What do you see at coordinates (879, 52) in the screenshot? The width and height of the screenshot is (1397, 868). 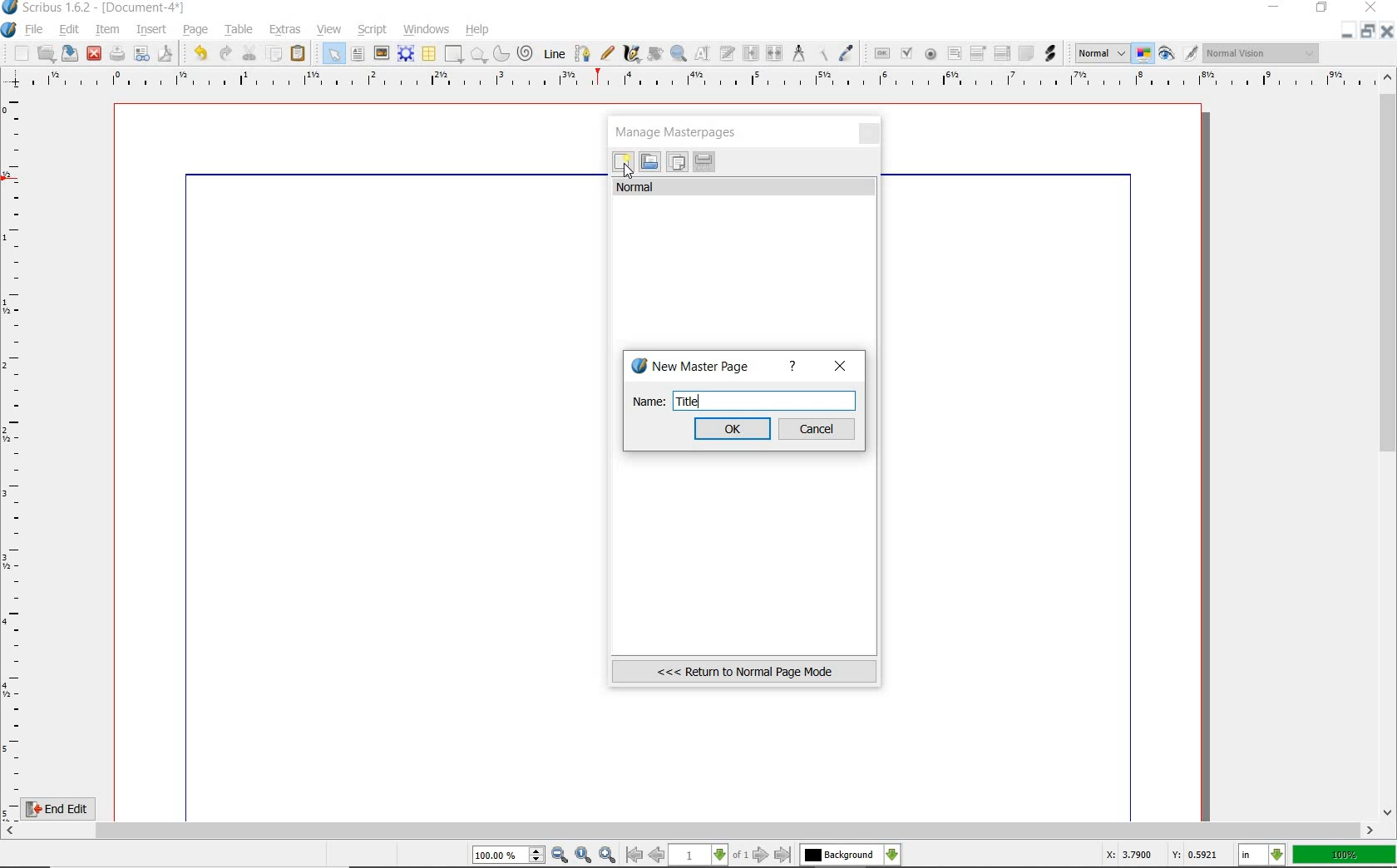 I see `pdf push button` at bounding box center [879, 52].